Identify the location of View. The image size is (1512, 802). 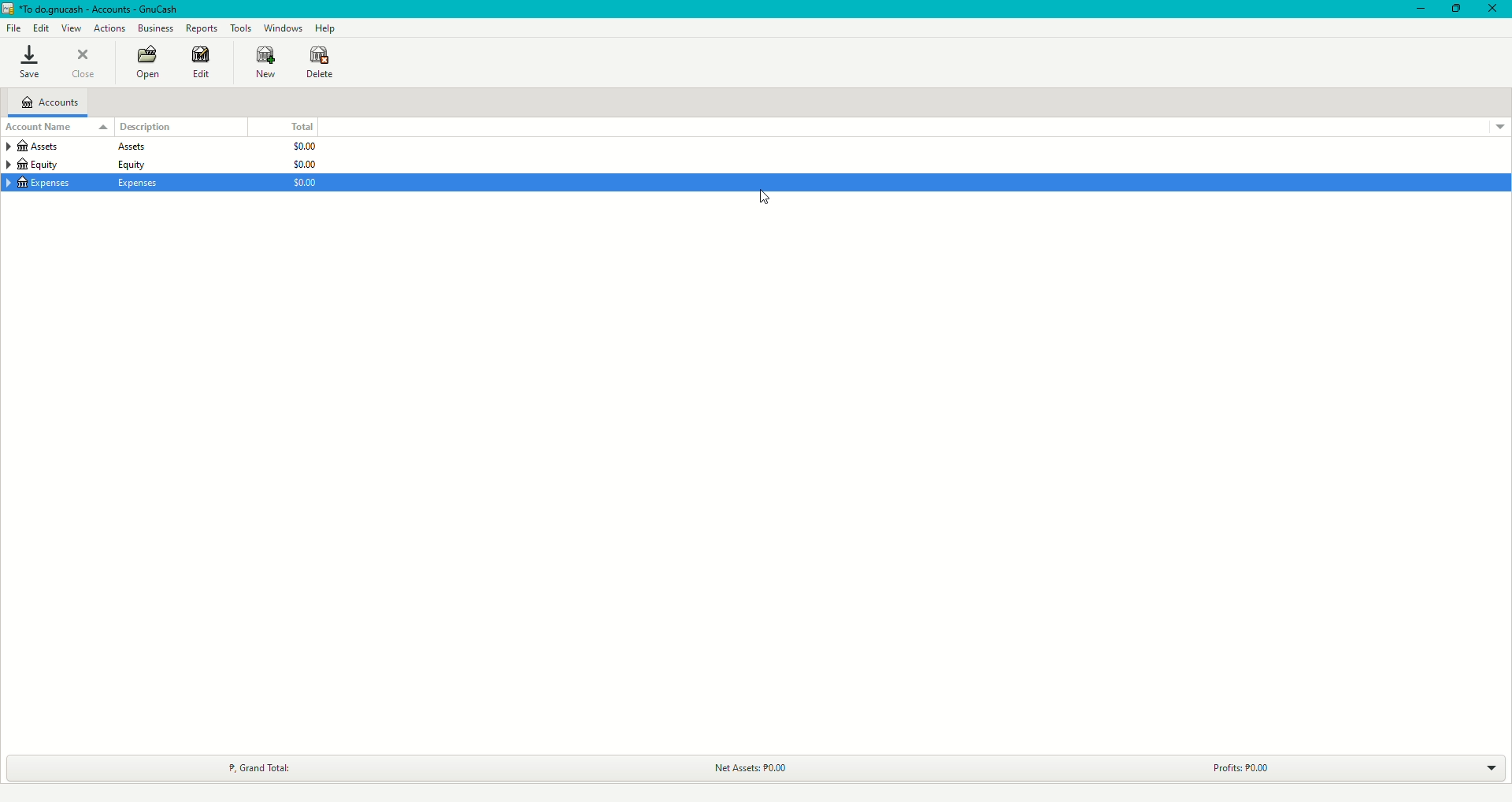
(71, 28).